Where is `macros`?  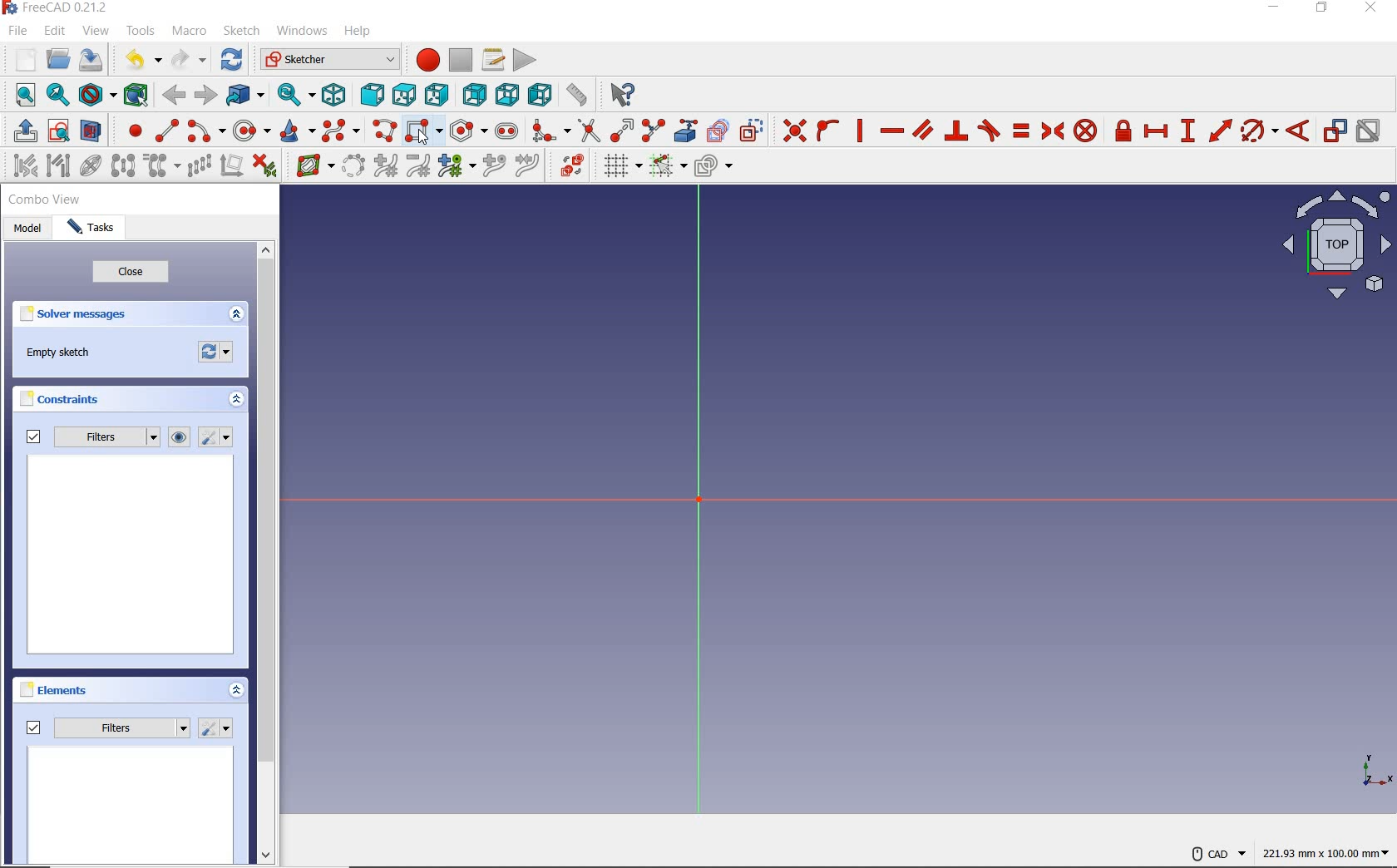
macros is located at coordinates (492, 60).